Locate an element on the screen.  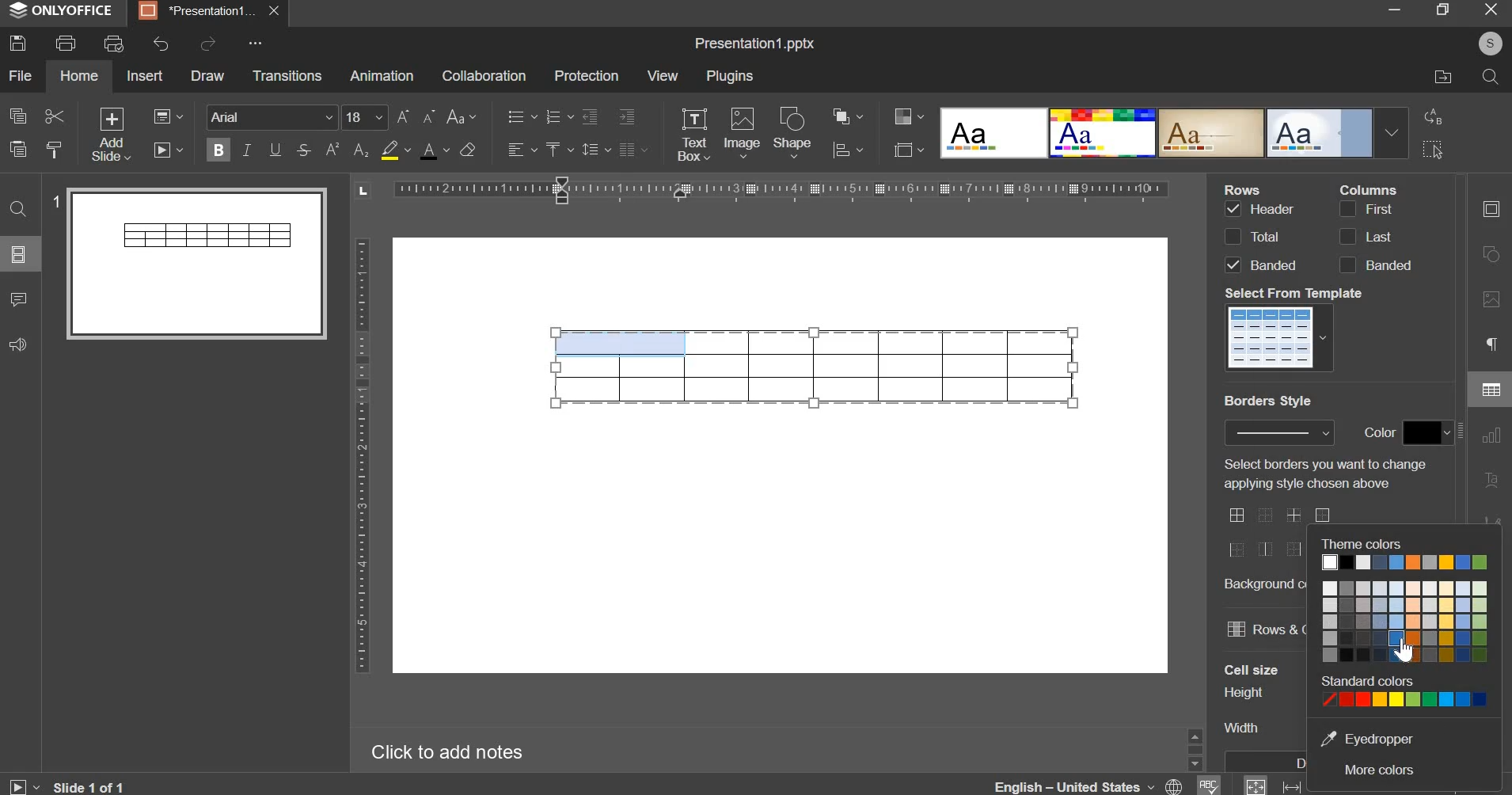
increase indent is located at coordinates (628, 116).